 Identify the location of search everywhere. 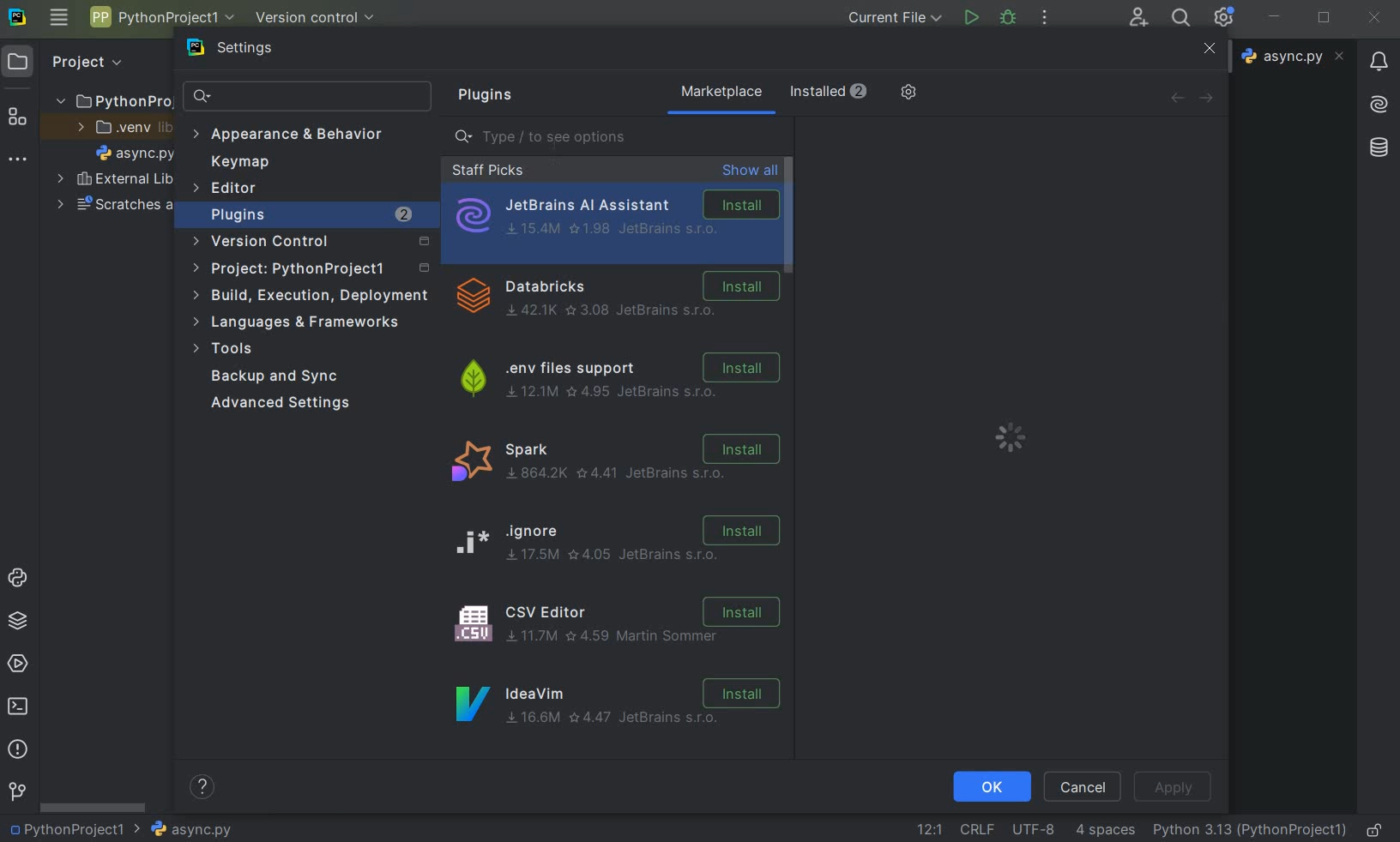
(1182, 17).